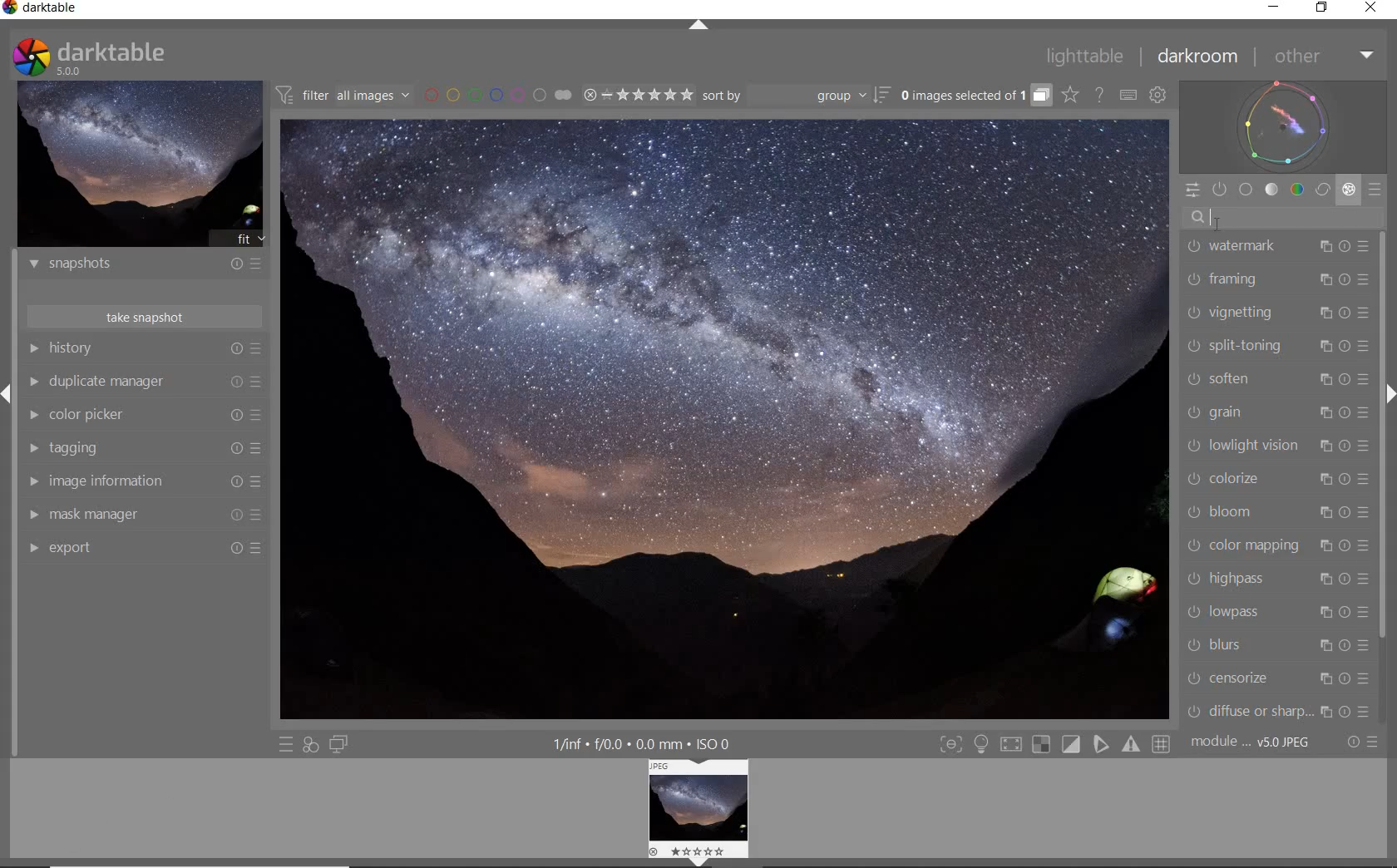  Describe the element at coordinates (497, 95) in the screenshot. I see `FILTER BY IMAGE COLOR LABEL` at that location.